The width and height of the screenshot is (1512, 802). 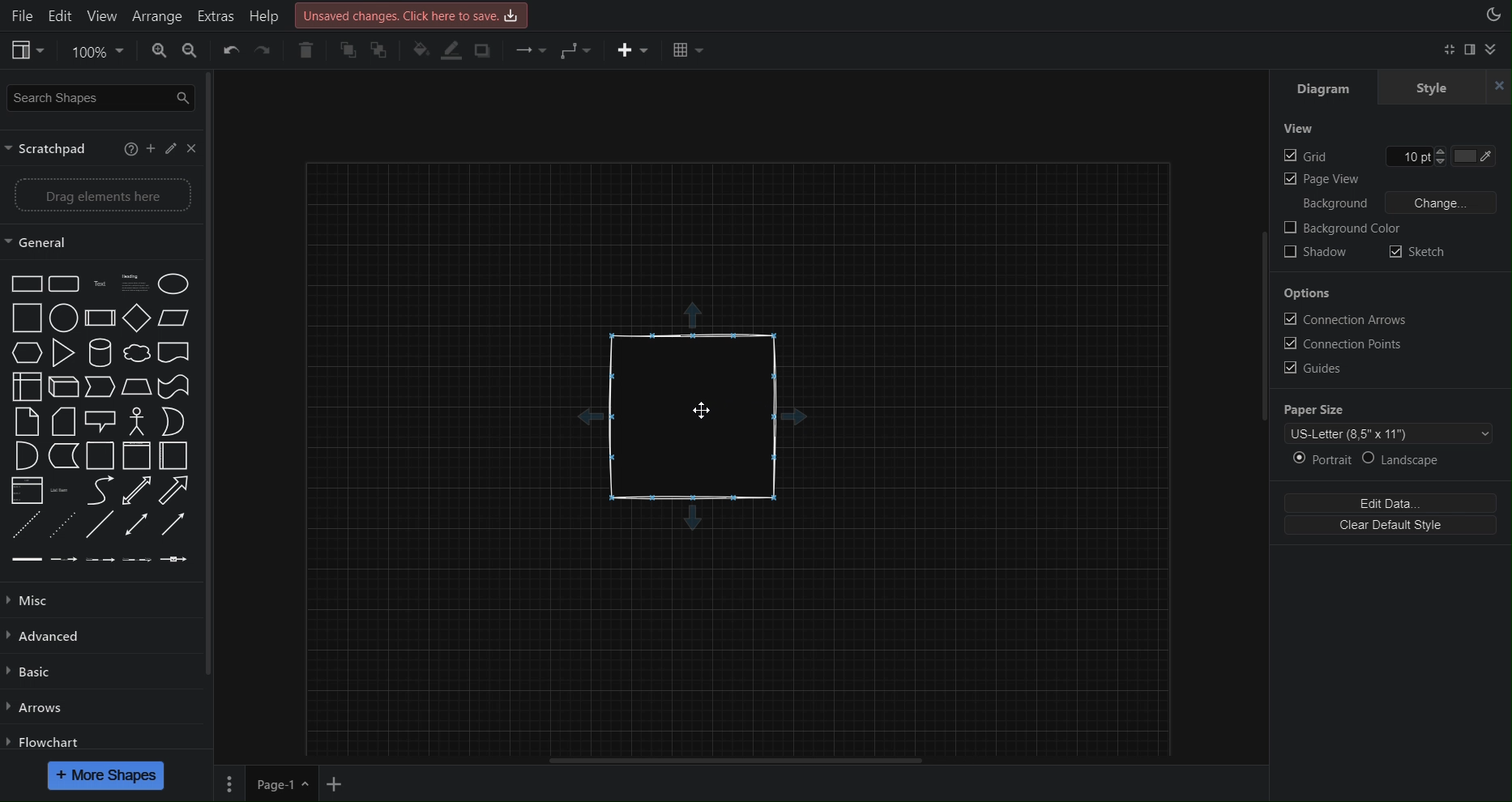 What do you see at coordinates (19, 14) in the screenshot?
I see `File` at bounding box center [19, 14].